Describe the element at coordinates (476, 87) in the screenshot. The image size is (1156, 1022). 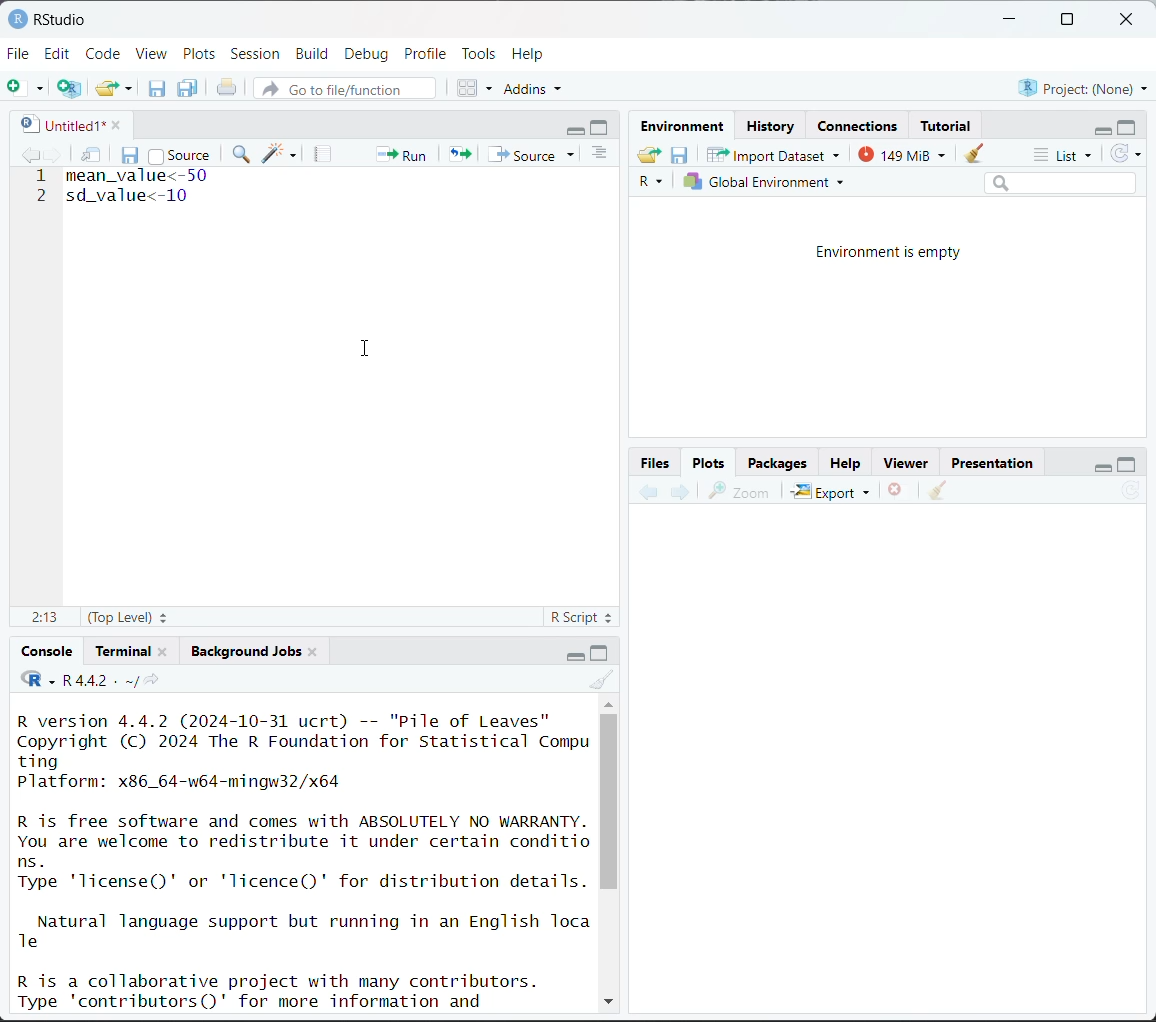
I see `workspace panes` at that location.